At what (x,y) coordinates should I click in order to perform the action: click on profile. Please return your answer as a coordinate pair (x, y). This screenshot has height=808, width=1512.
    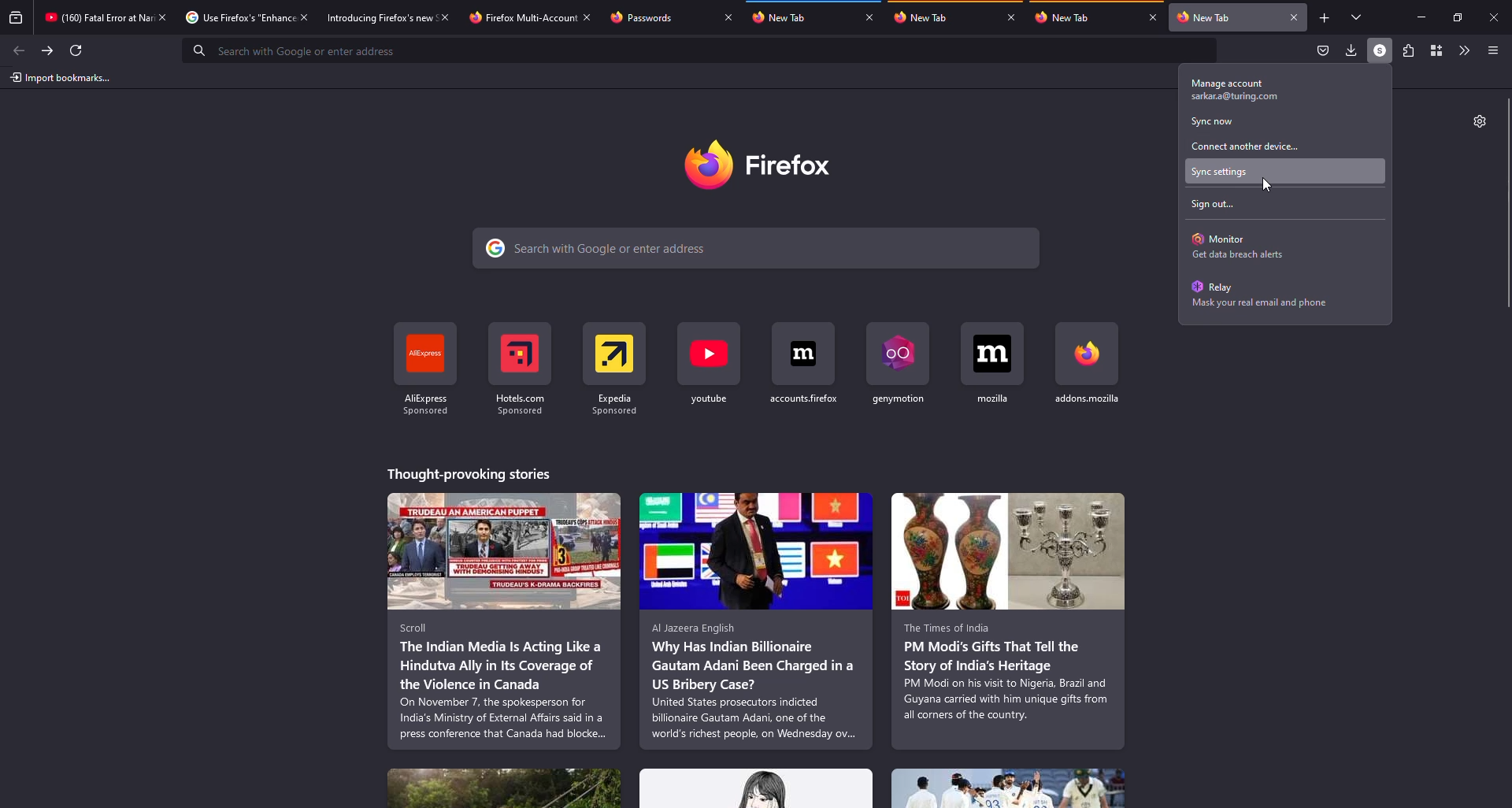
    Looking at the image, I should click on (1381, 50).